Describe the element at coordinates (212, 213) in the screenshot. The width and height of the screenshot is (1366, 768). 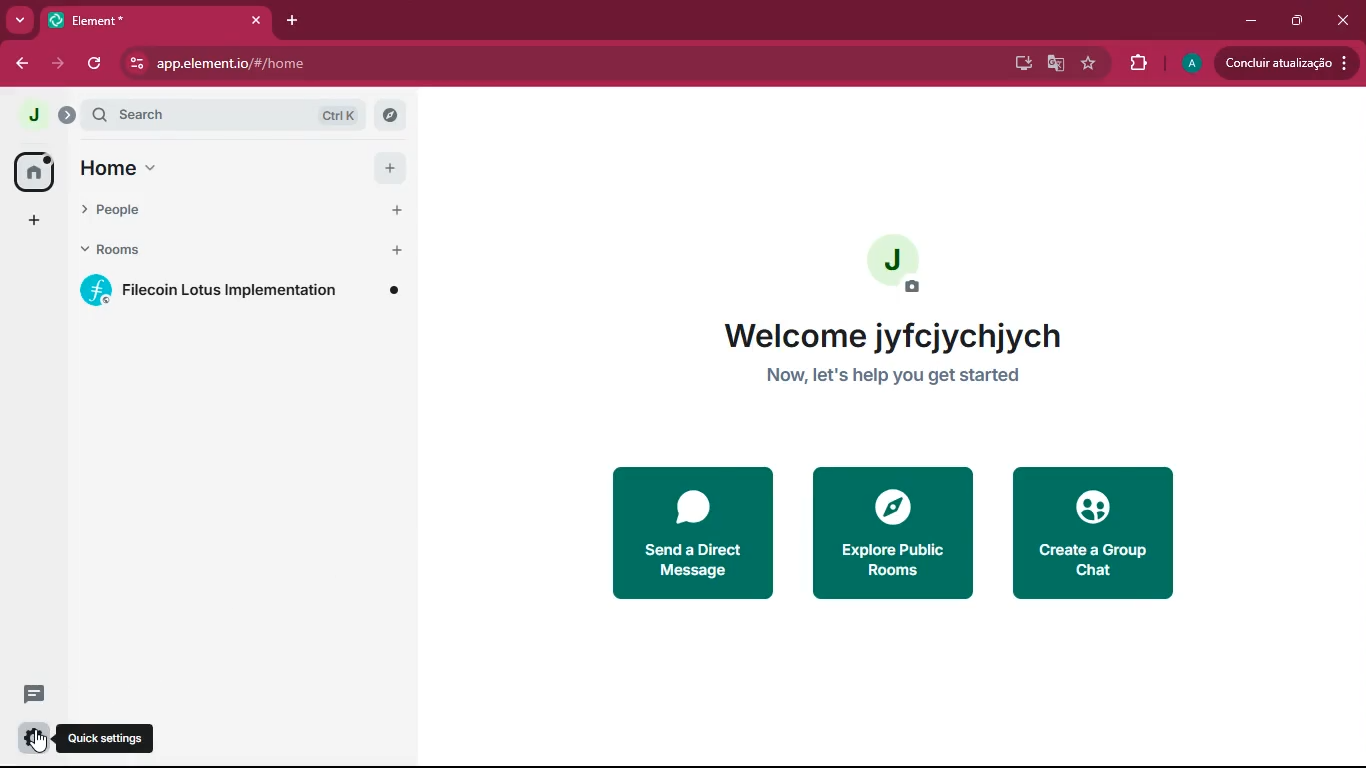
I see `people` at that location.